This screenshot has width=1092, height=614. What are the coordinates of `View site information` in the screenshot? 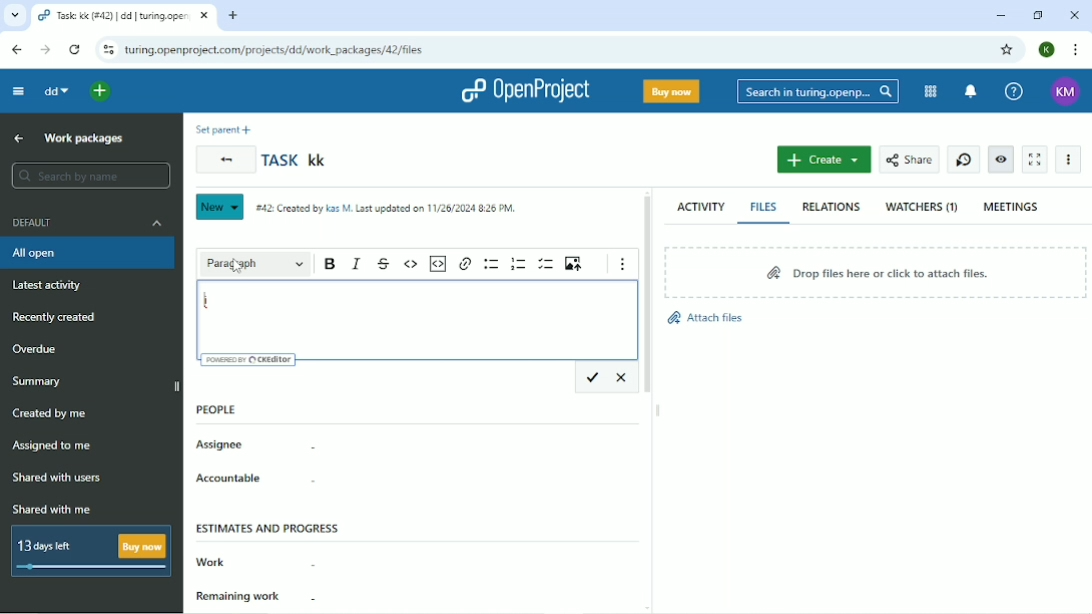 It's located at (106, 50).